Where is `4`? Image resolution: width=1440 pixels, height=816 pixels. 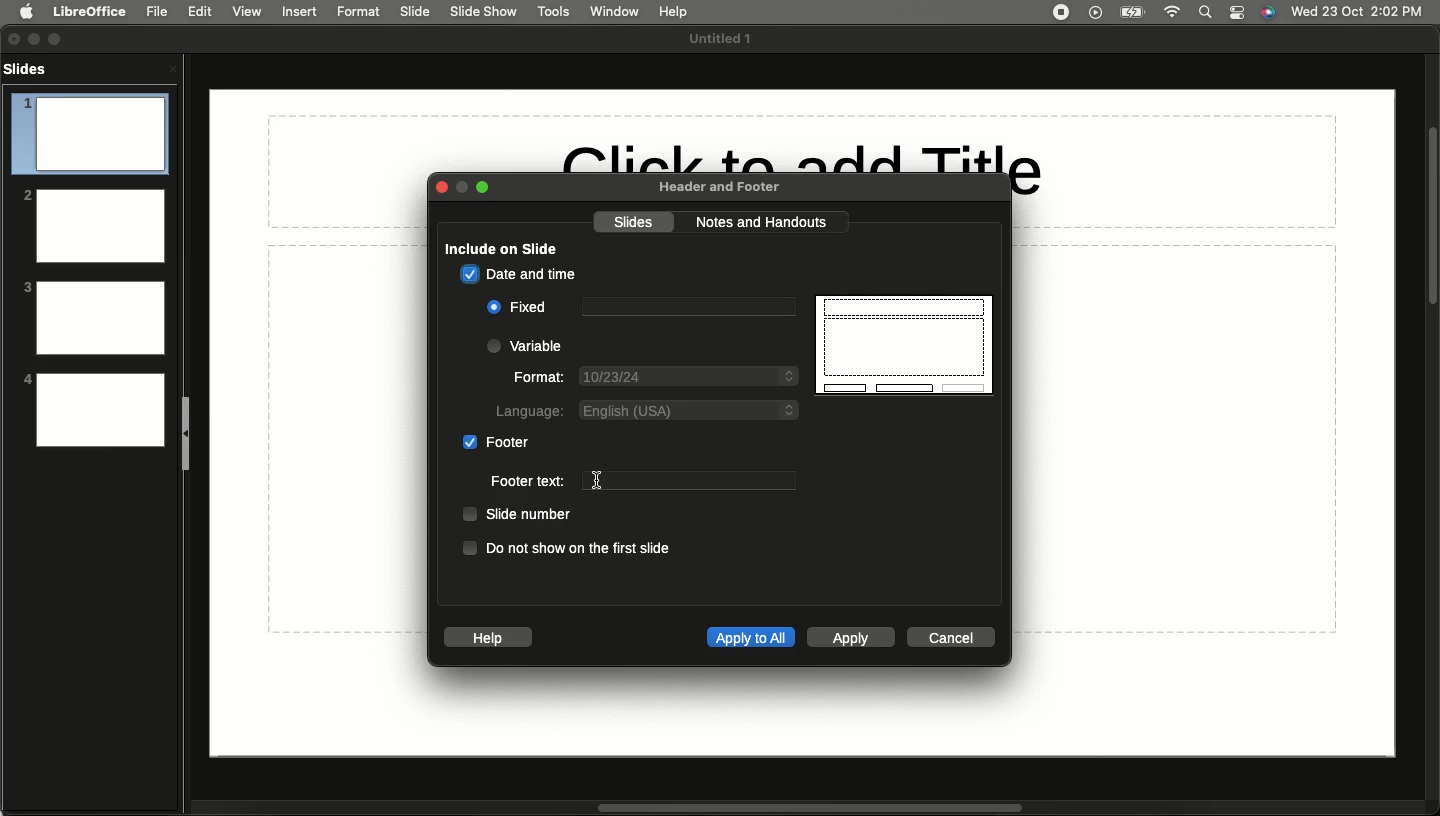
4 is located at coordinates (93, 409).